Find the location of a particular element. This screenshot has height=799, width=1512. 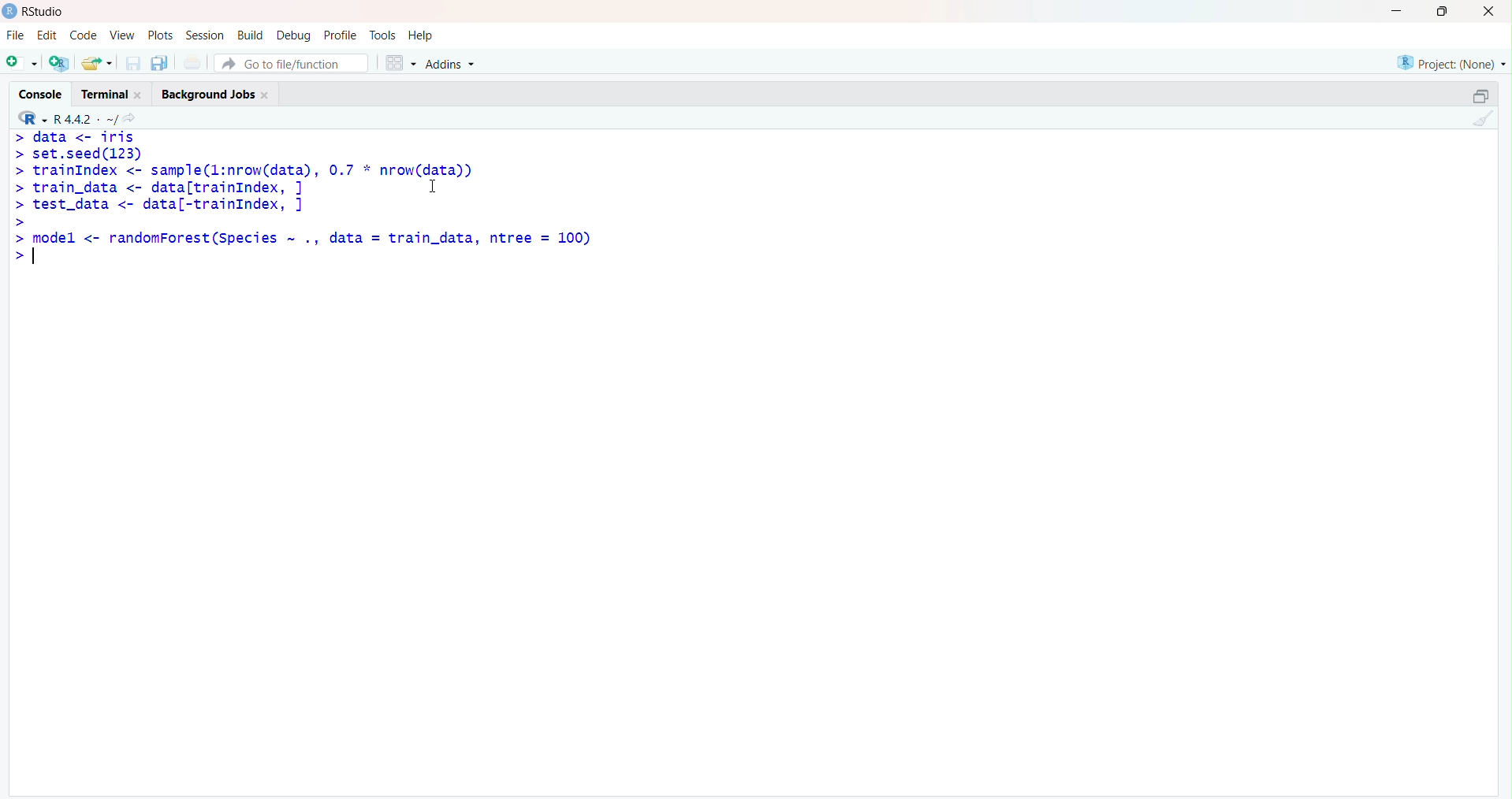

Create a project is located at coordinates (60, 61).